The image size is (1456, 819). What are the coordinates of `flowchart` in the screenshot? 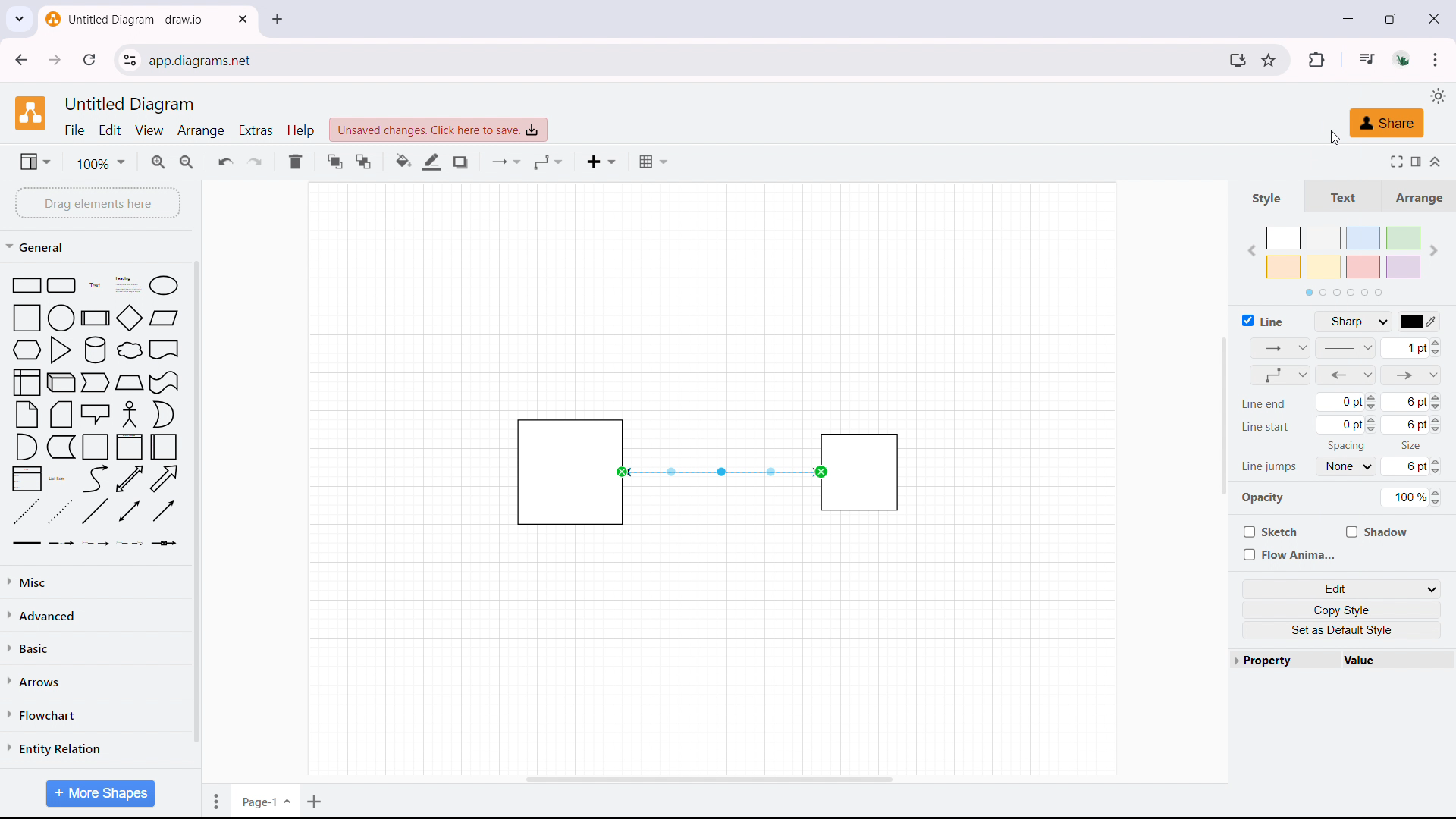 It's located at (95, 714).